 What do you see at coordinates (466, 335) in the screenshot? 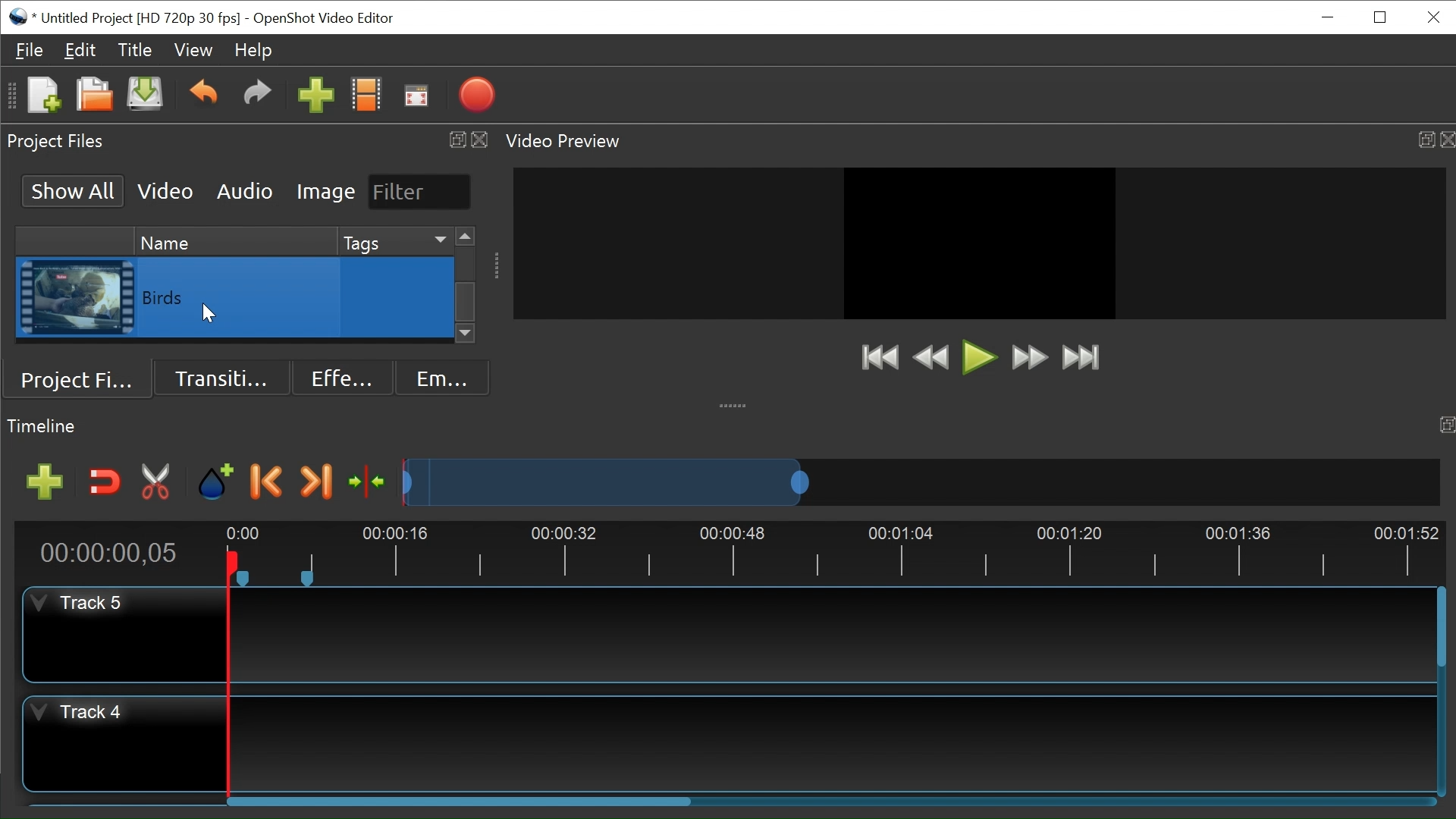
I see `Scroll down` at bounding box center [466, 335].